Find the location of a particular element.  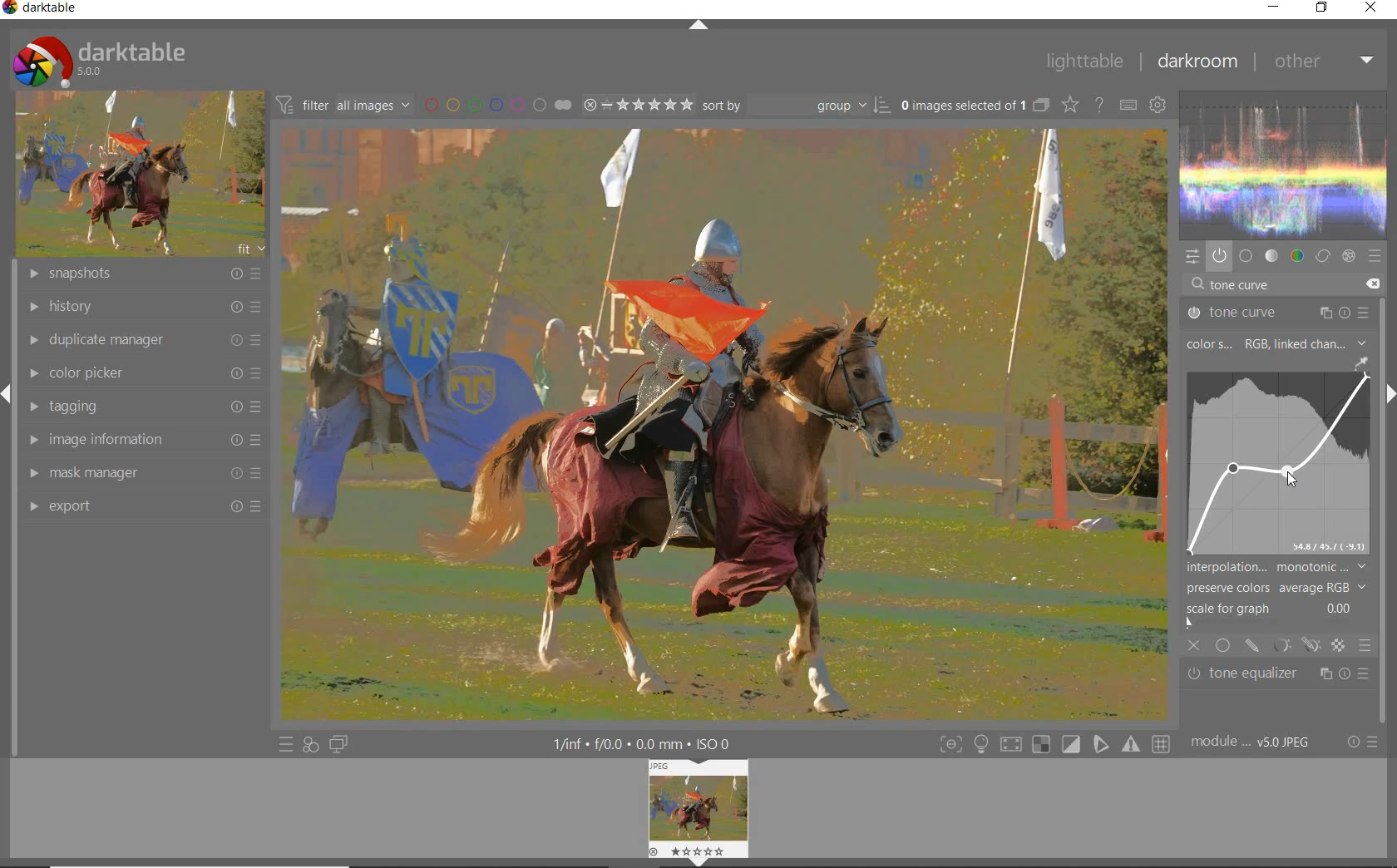

lighttable is located at coordinates (1084, 62).